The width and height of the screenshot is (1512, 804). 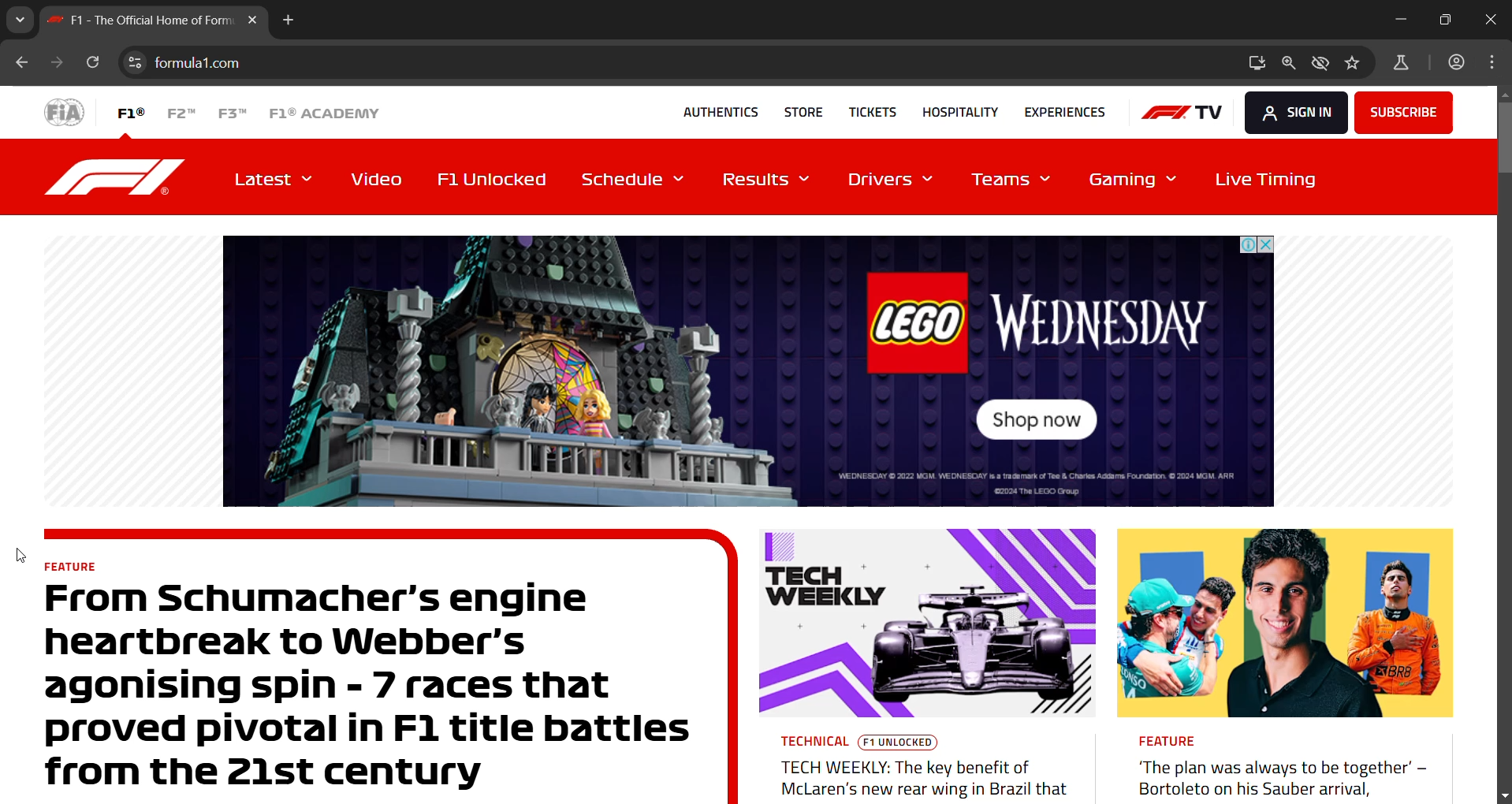 I want to click on F1®, so click(x=129, y=112).